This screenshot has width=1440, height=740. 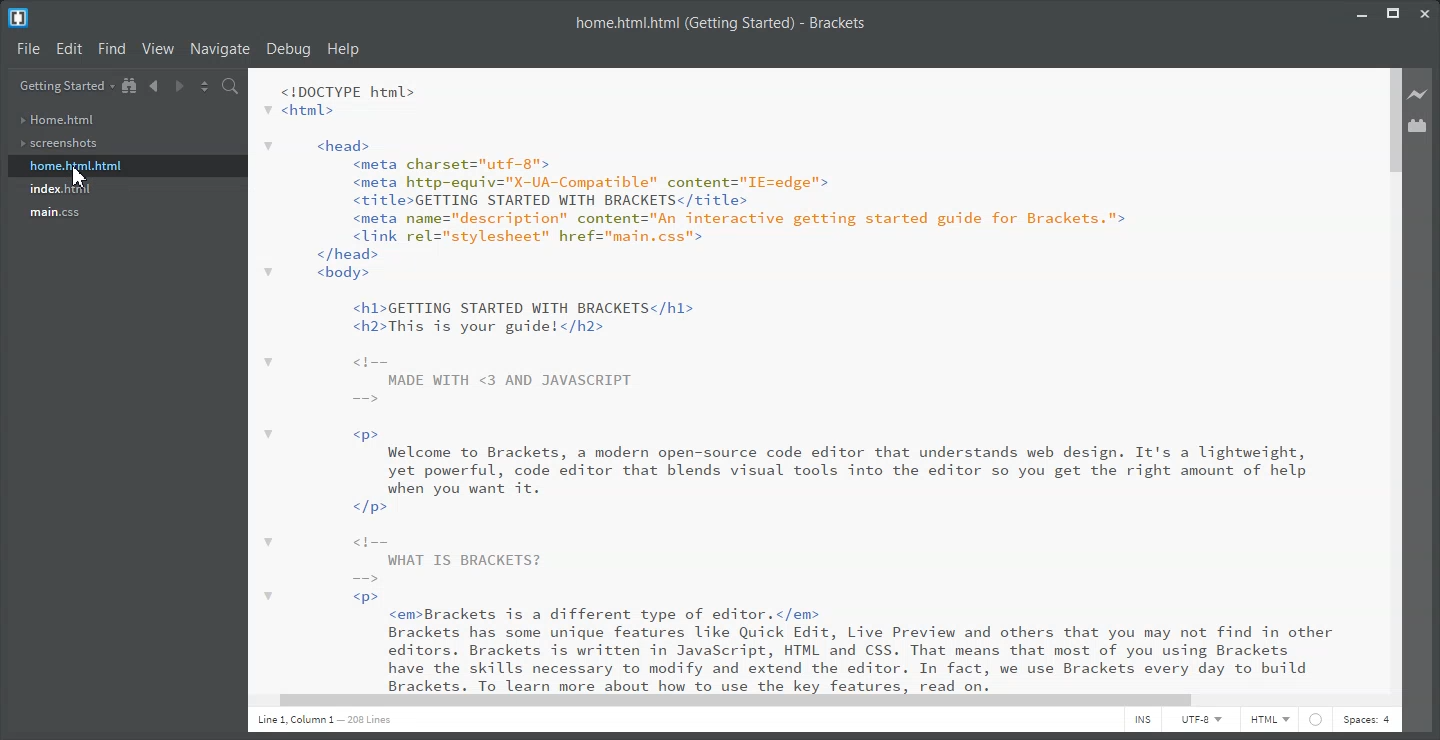 I want to click on Help, so click(x=344, y=49).